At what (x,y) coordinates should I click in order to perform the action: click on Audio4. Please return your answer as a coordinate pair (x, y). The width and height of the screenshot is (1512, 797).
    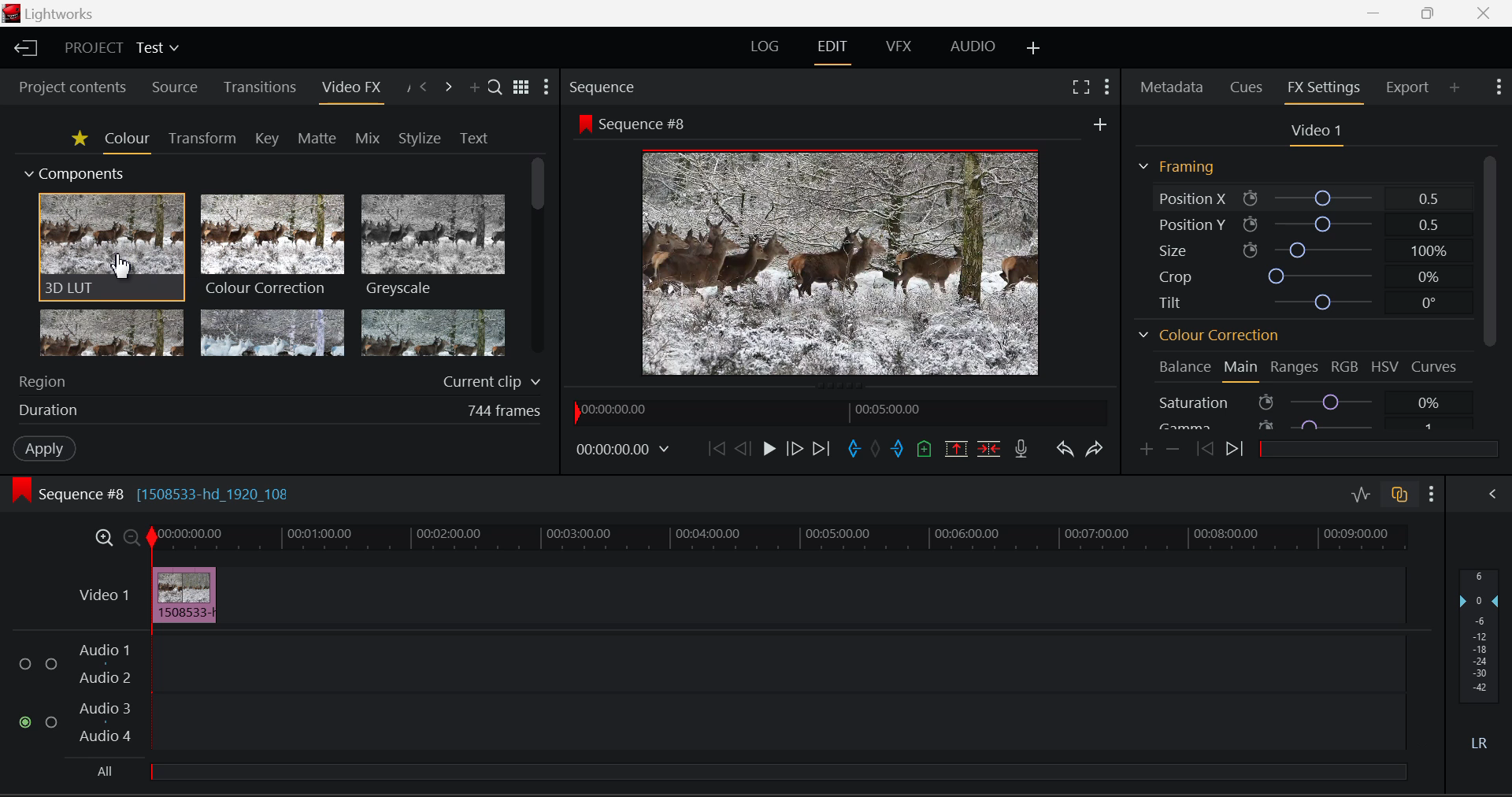
    Looking at the image, I should click on (106, 736).